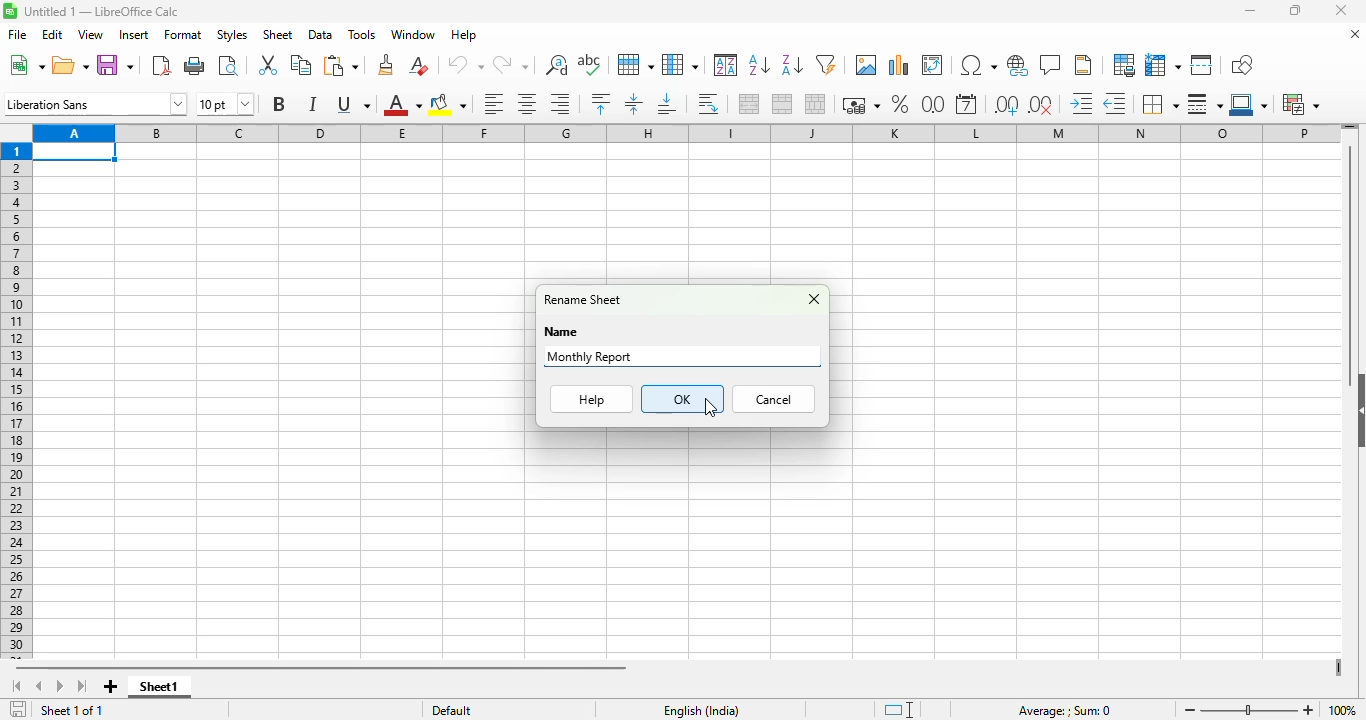 The image size is (1366, 720). Describe the element at coordinates (183, 35) in the screenshot. I see `format` at that location.